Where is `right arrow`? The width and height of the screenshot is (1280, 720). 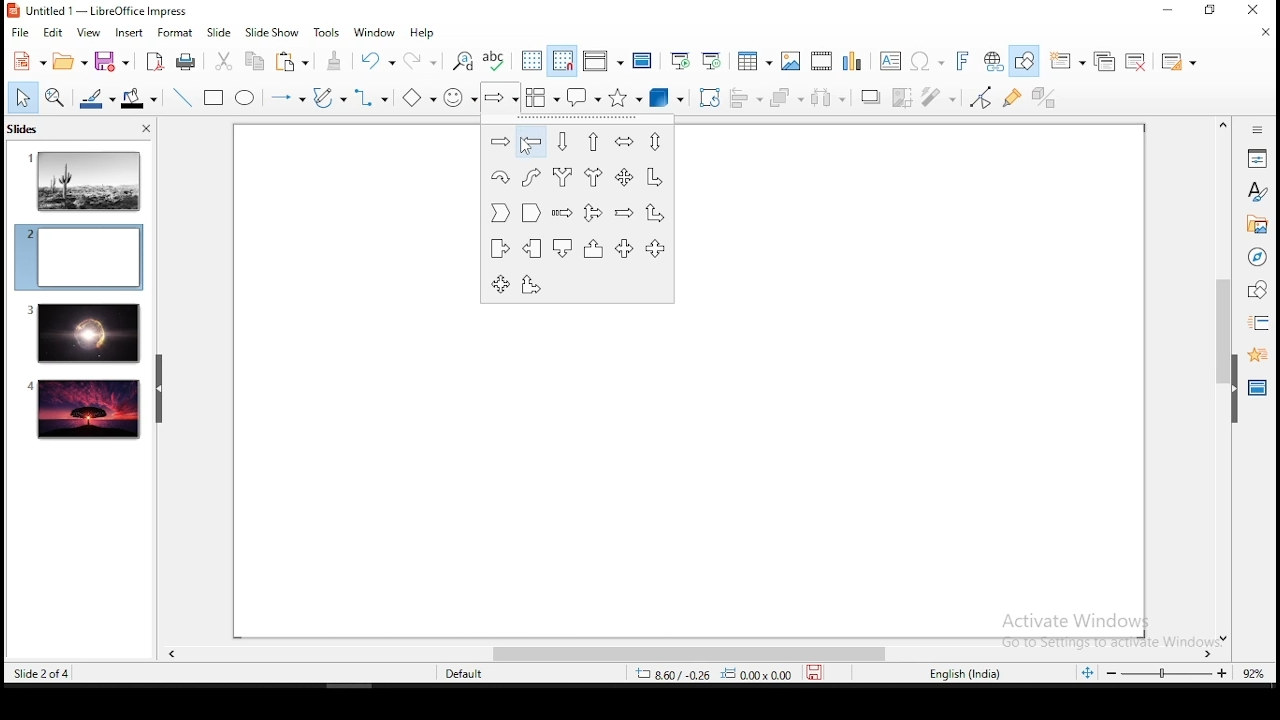 right arrow is located at coordinates (499, 142).